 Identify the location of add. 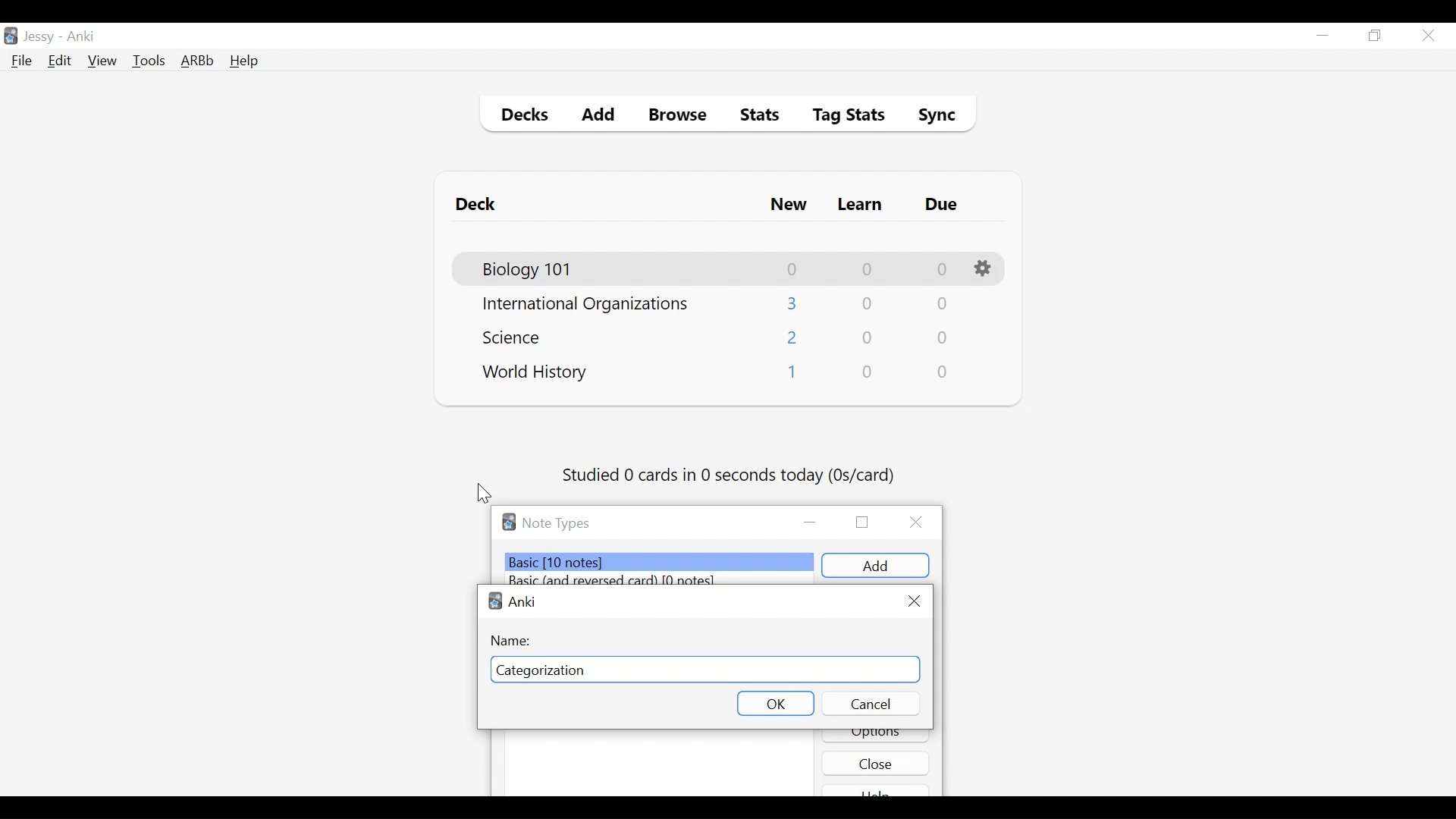
(875, 566).